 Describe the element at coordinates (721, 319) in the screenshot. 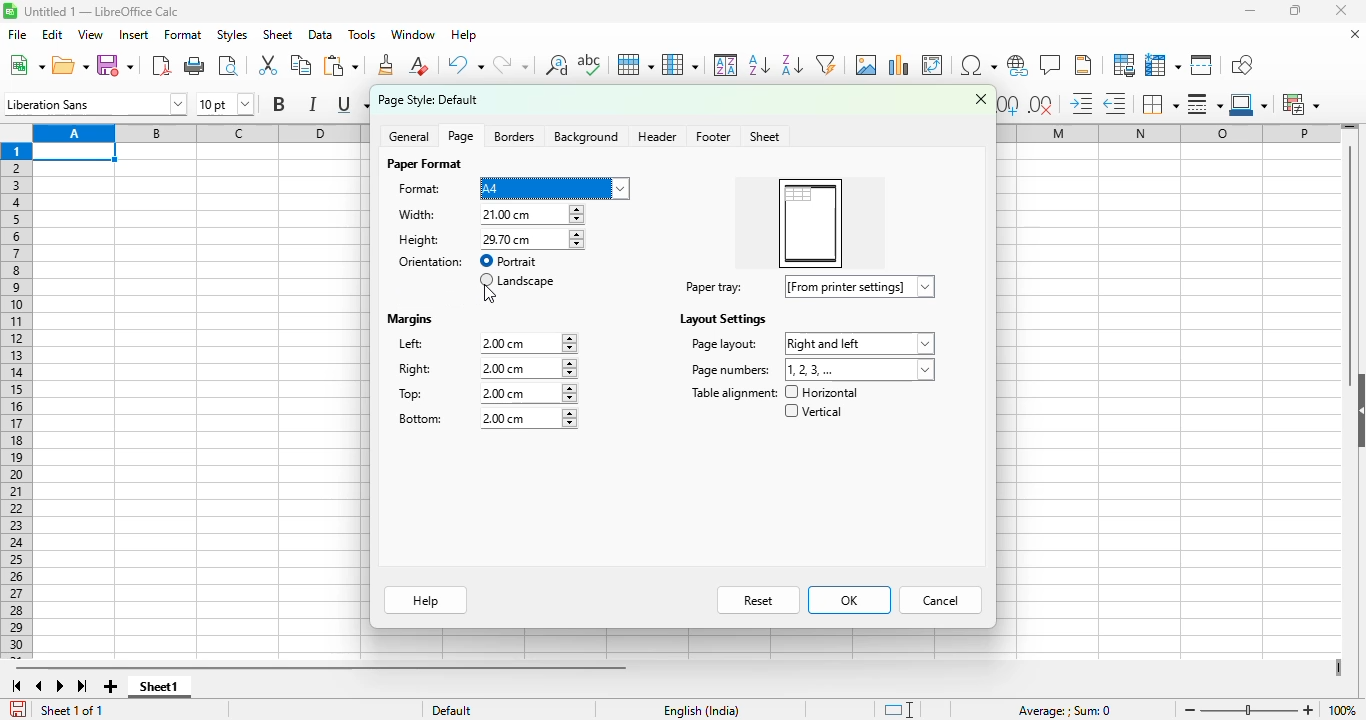

I see `layout settings` at that location.